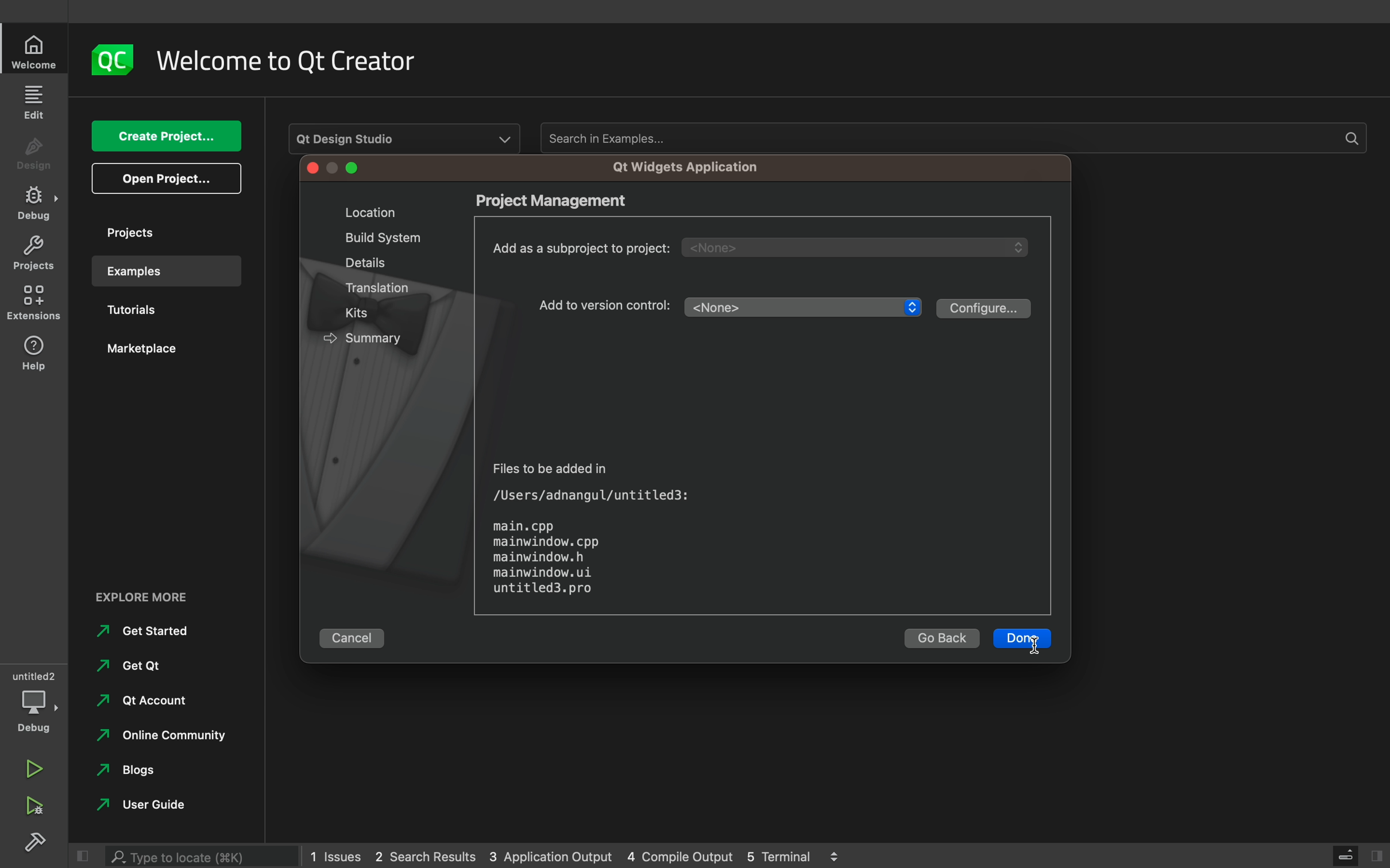 This screenshot has height=868, width=1390. Describe the element at coordinates (38, 844) in the screenshot. I see `` at that location.